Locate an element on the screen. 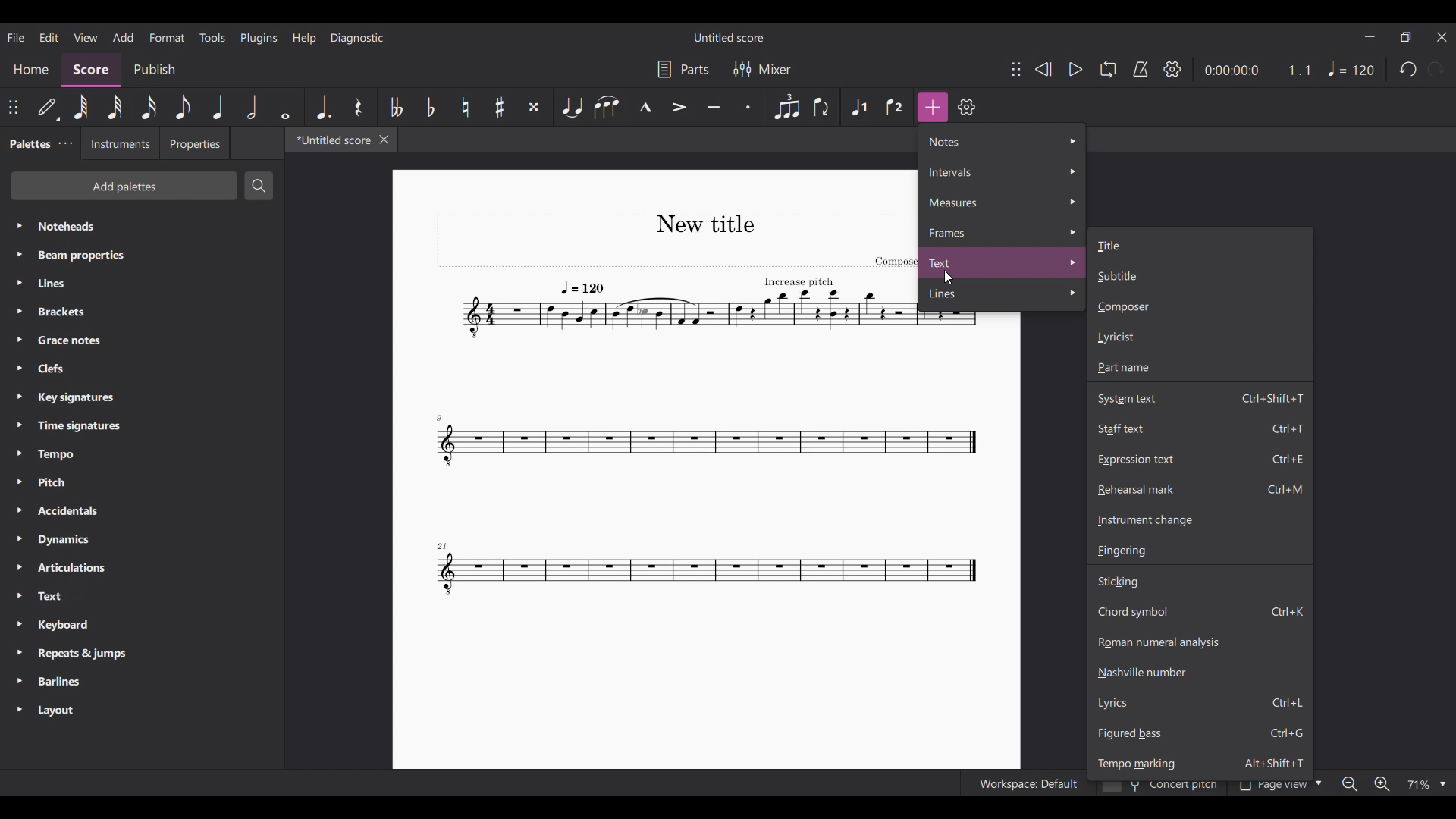 This screenshot has height=819, width=1456. Line options is located at coordinates (1003, 294).